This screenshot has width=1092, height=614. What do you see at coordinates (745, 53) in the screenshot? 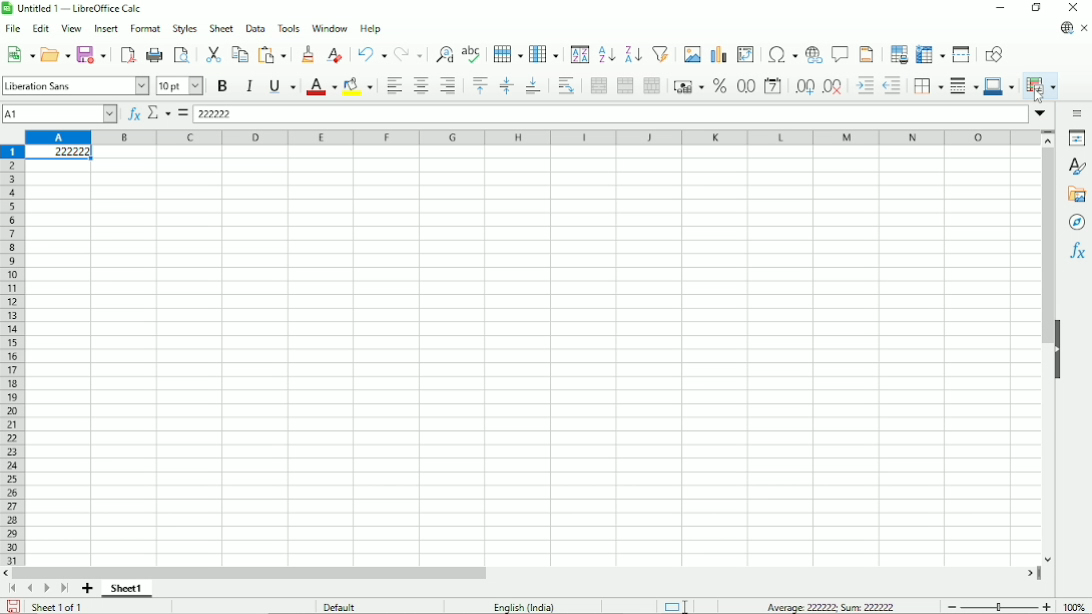
I see `Insert or edit pivot table` at bounding box center [745, 53].